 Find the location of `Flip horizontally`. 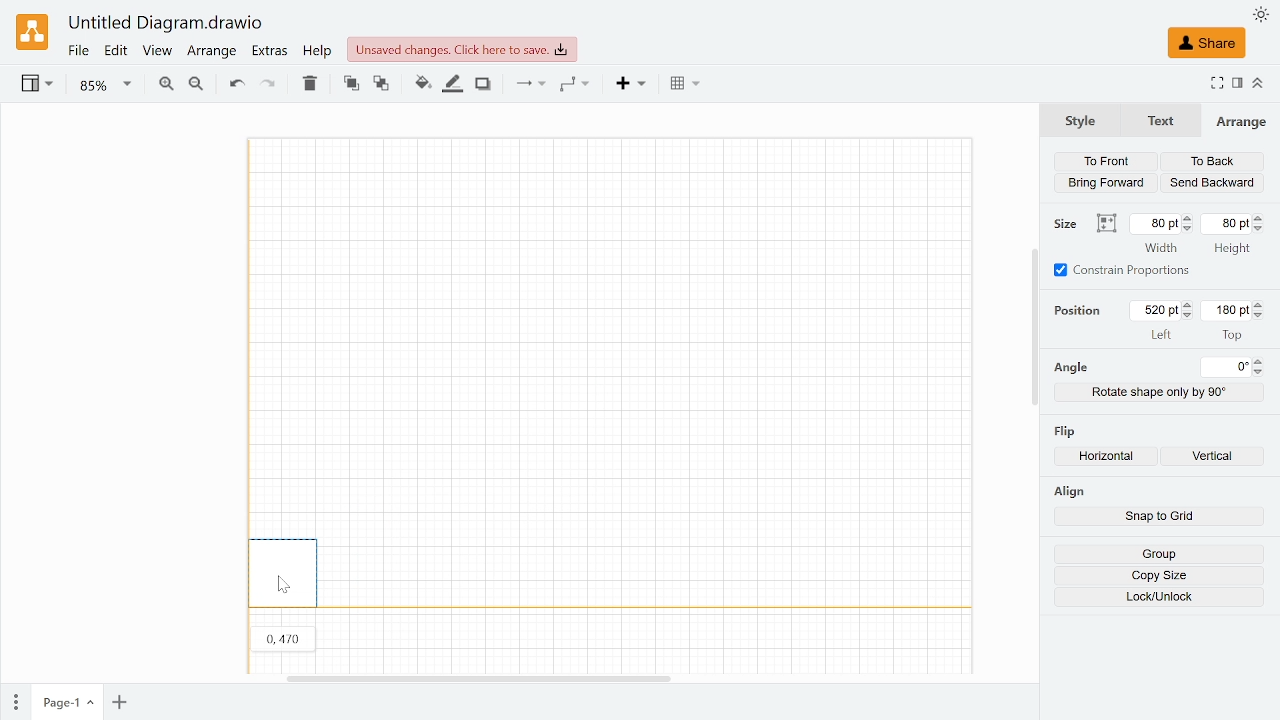

Flip horizontally is located at coordinates (1111, 458).